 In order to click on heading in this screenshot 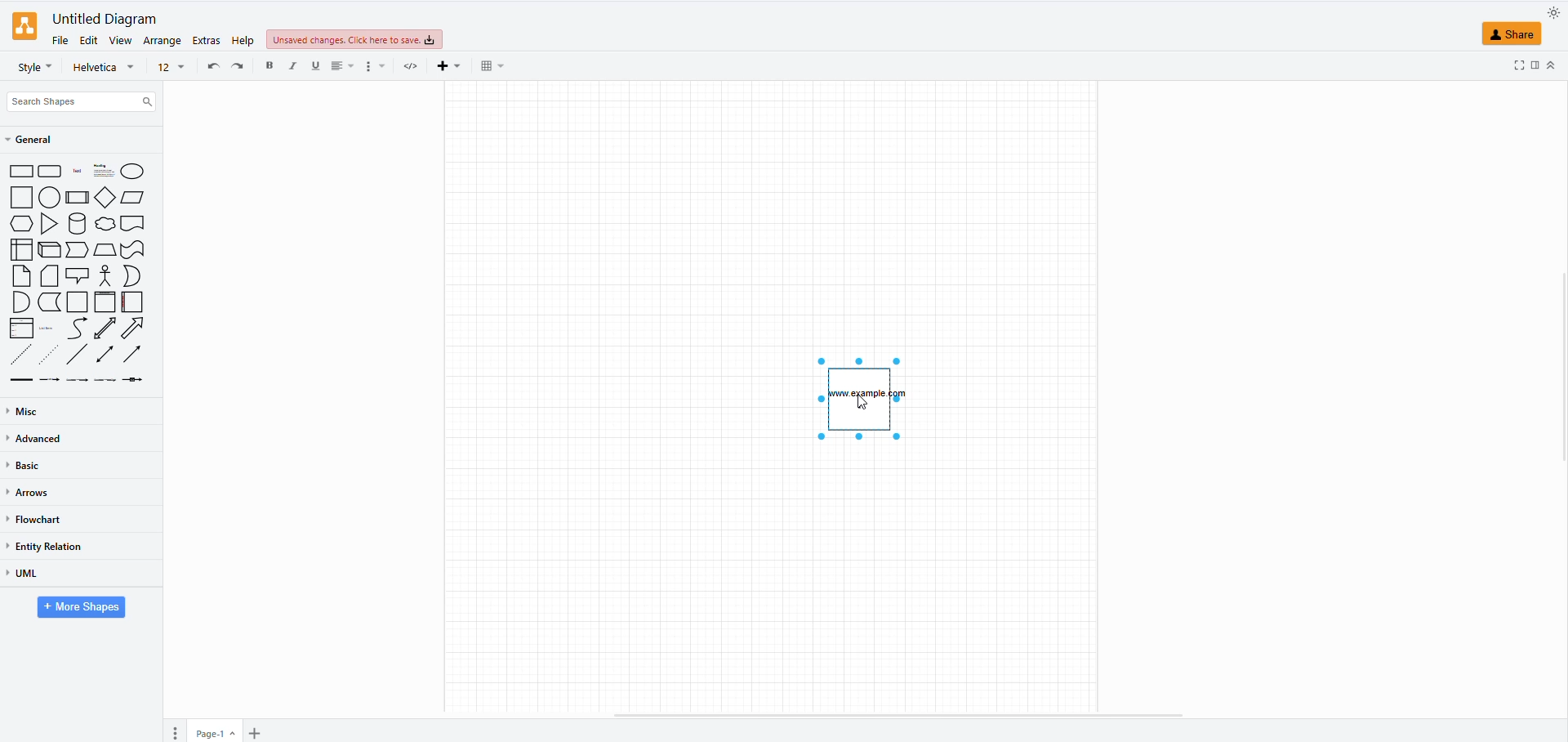, I will do `click(102, 171)`.